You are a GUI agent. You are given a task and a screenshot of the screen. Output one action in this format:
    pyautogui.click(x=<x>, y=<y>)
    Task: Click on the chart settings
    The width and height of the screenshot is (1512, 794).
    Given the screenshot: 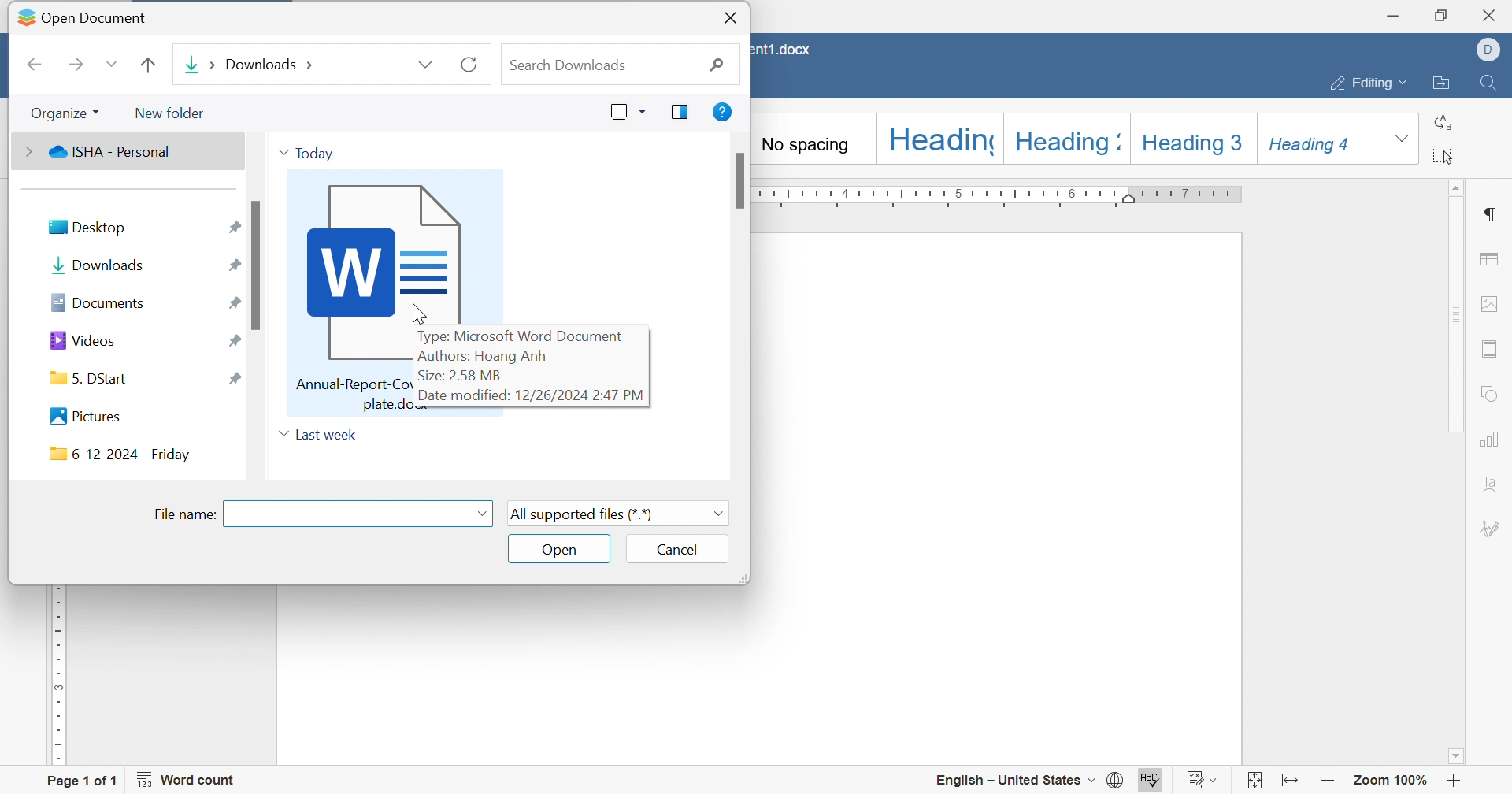 What is the action you would take?
    pyautogui.click(x=1492, y=440)
    